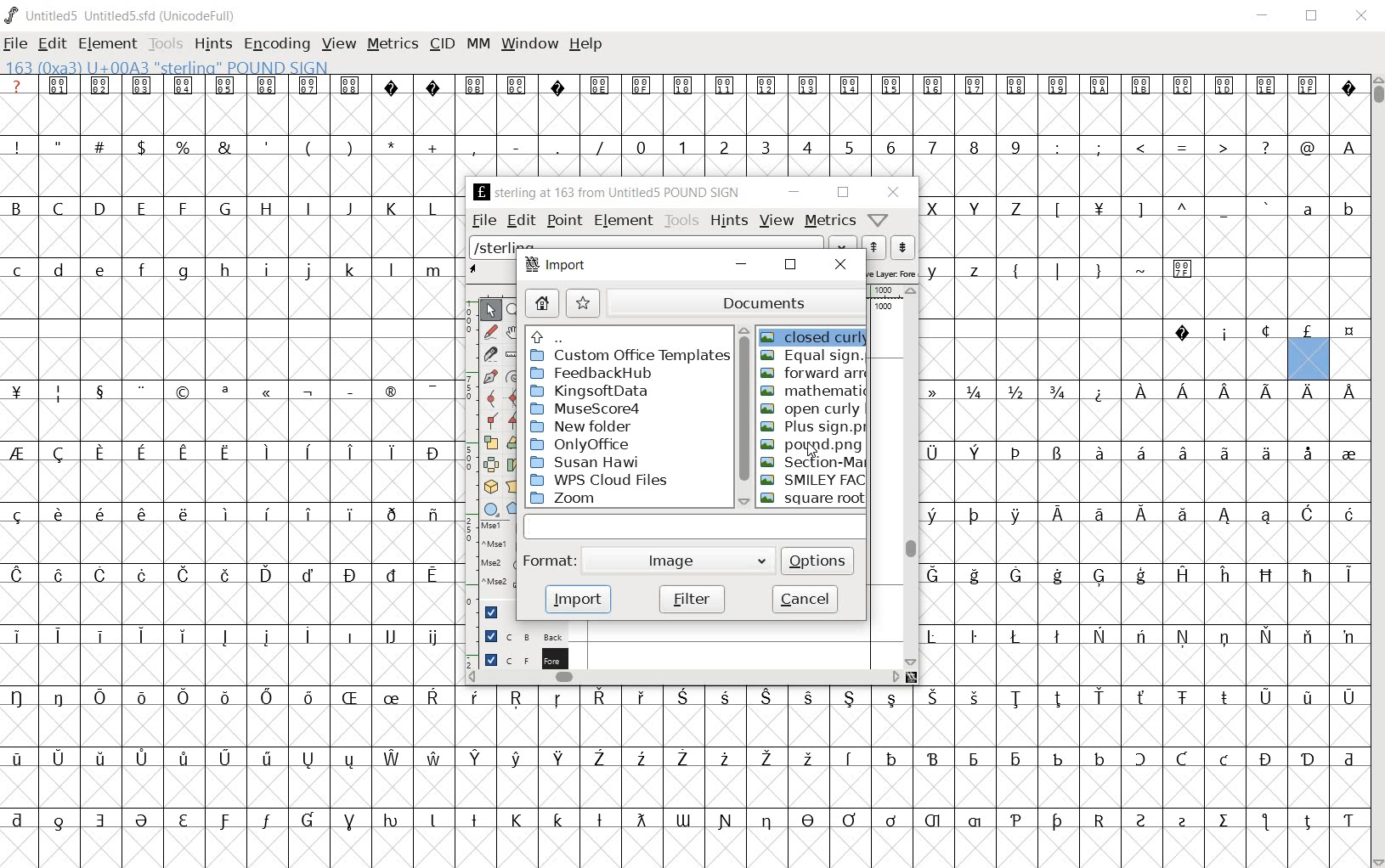 Image resolution: width=1385 pixels, height=868 pixels. What do you see at coordinates (599, 759) in the screenshot?
I see `Symbol` at bounding box center [599, 759].